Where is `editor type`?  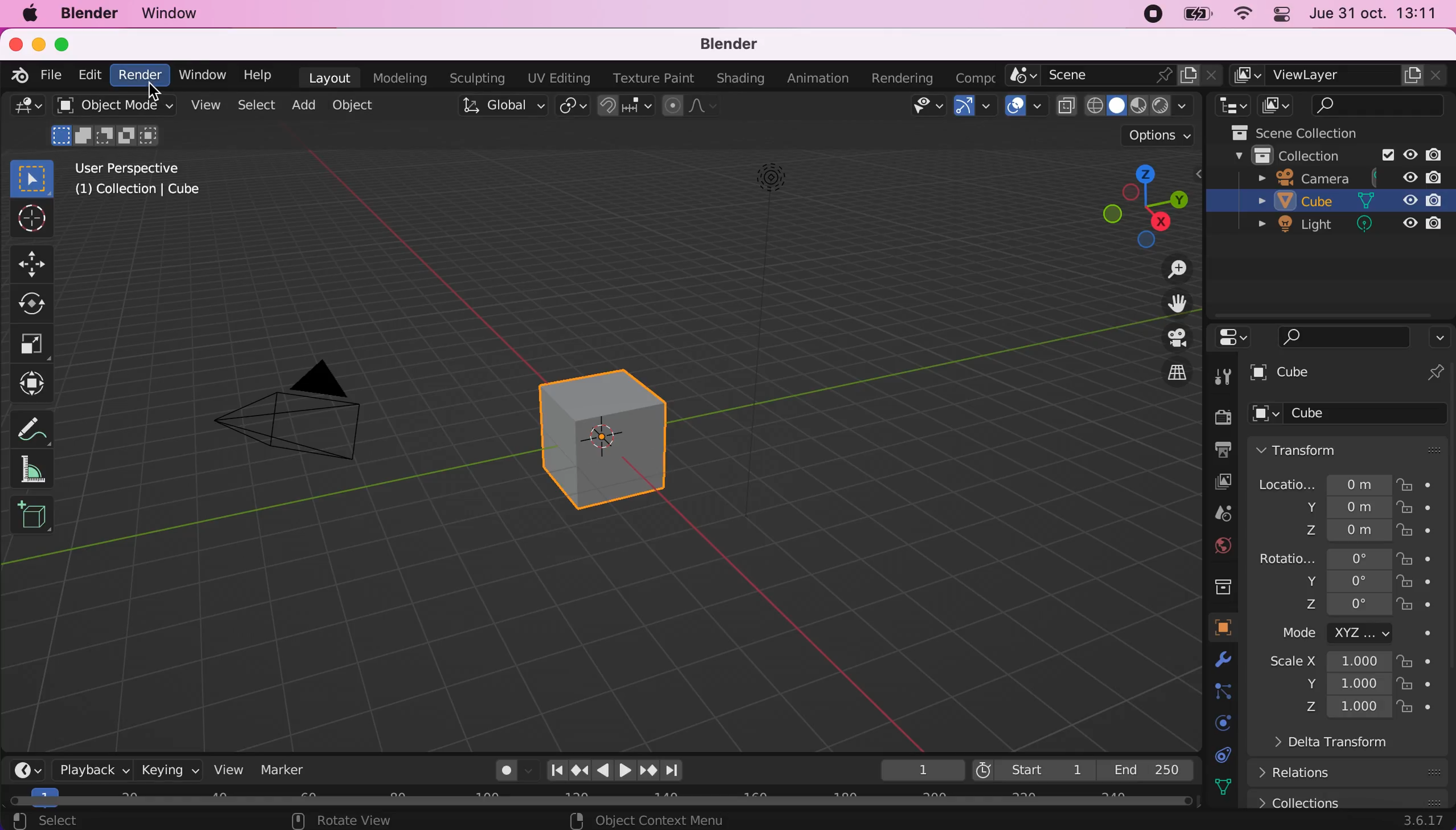
editor type is located at coordinates (28, 109).